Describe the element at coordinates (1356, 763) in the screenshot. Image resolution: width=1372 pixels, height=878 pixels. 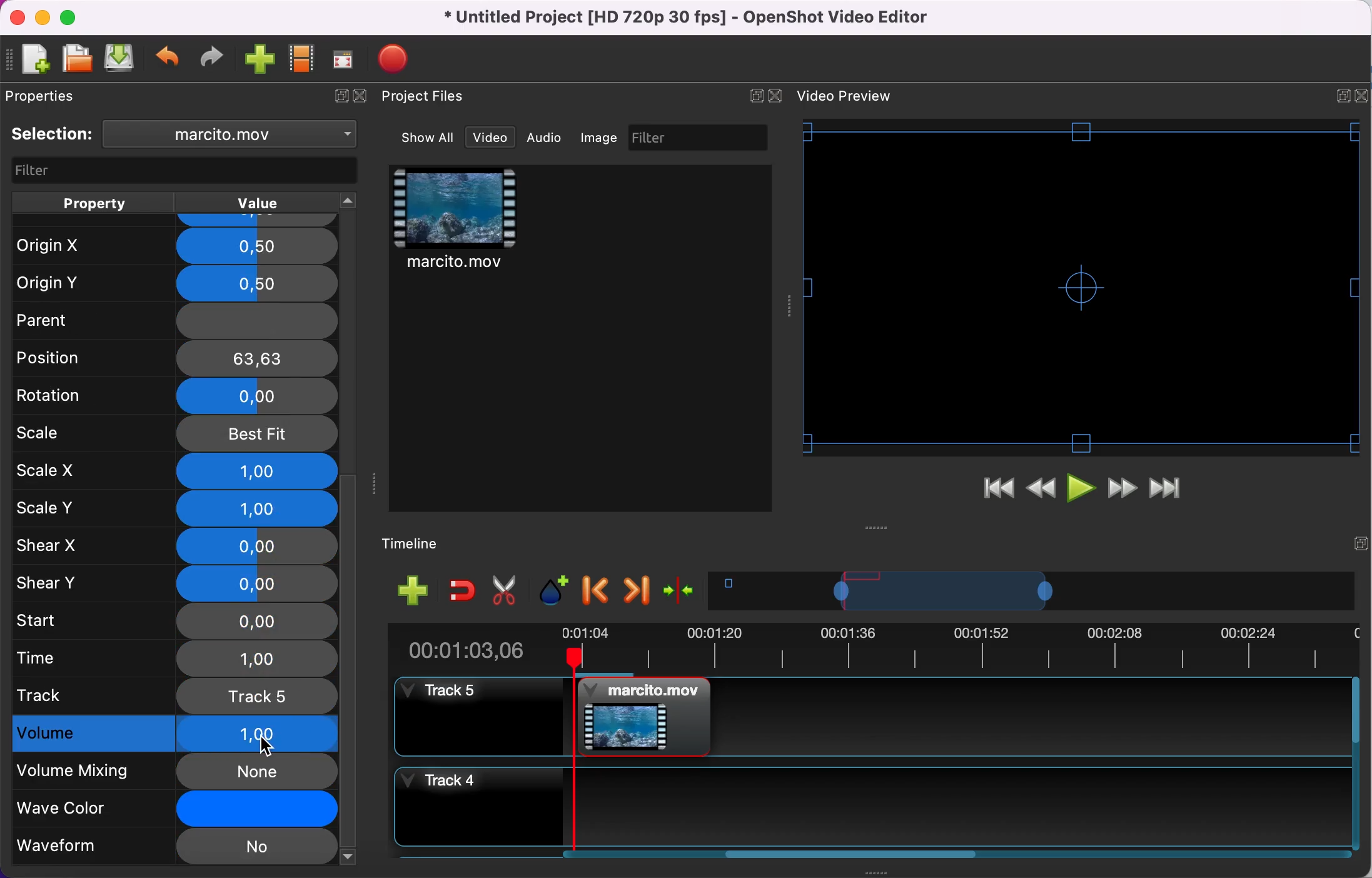
I see `Vertical slide bar` at that location.